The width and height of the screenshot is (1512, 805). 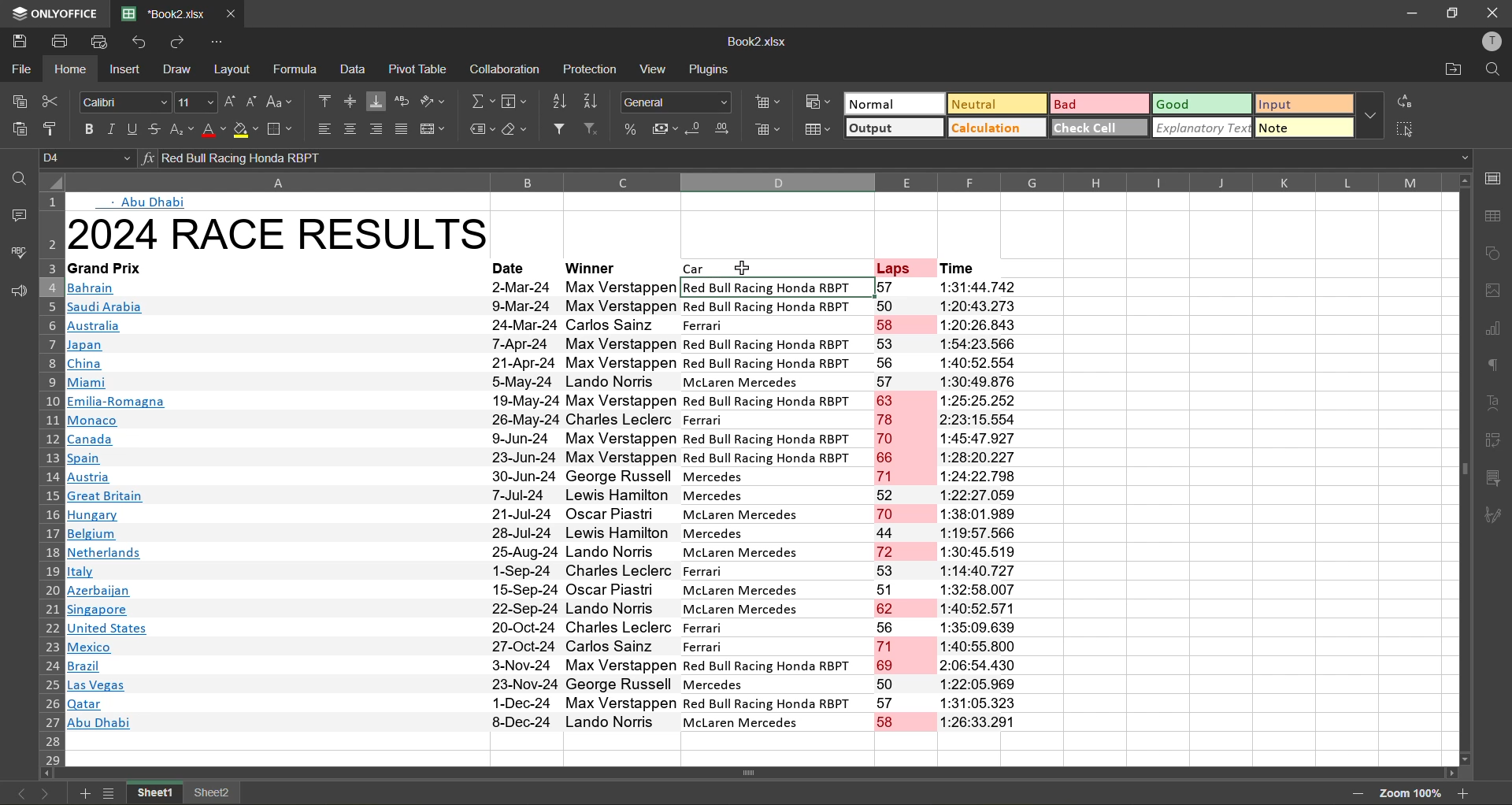 What do you see at coordinates (80, 796) in the screenshot?
I see `add new sheet` at bounding box center [80, 796].